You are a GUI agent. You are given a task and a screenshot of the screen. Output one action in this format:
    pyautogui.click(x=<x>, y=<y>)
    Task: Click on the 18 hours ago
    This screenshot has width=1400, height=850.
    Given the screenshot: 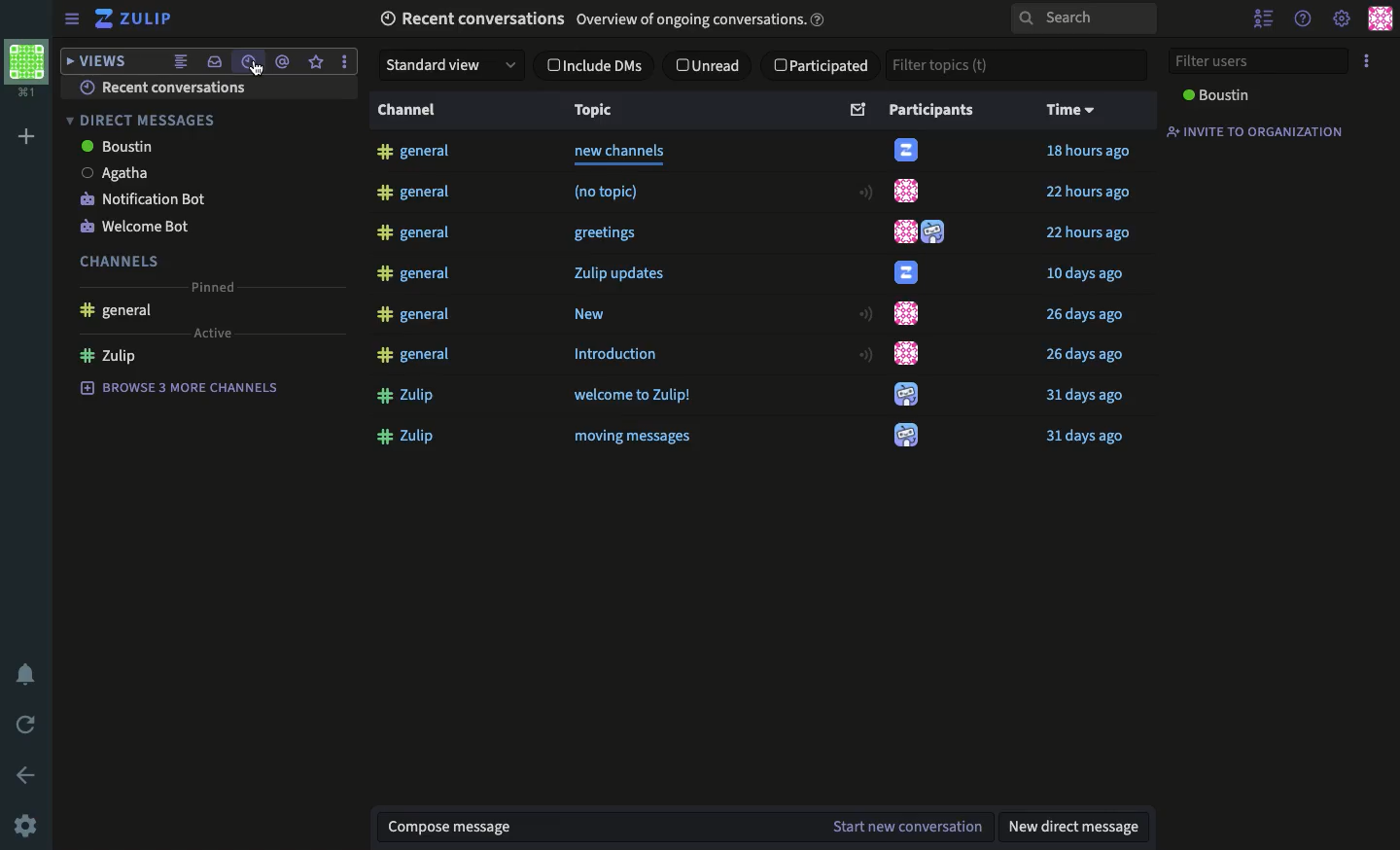 What is the action you would take?
    pyautogui.click(x=1090, y=154)
    